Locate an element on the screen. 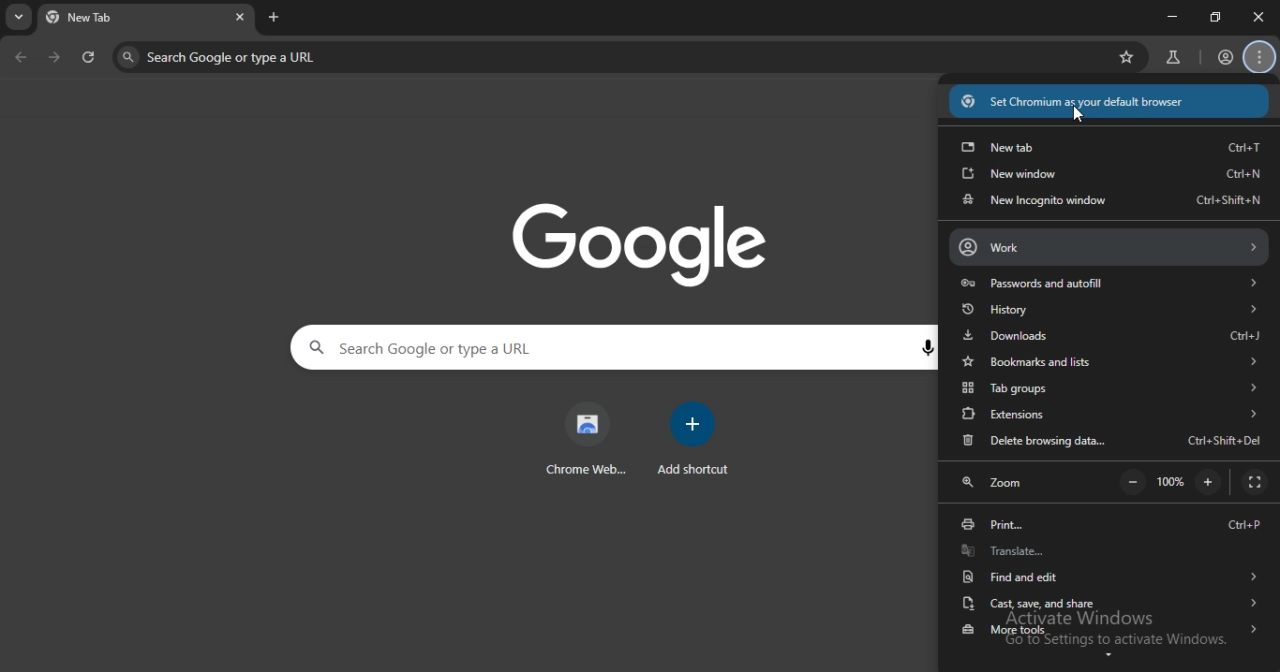 The image size is (1280, 672). bookmark page is located at coordinates (1124, 56).